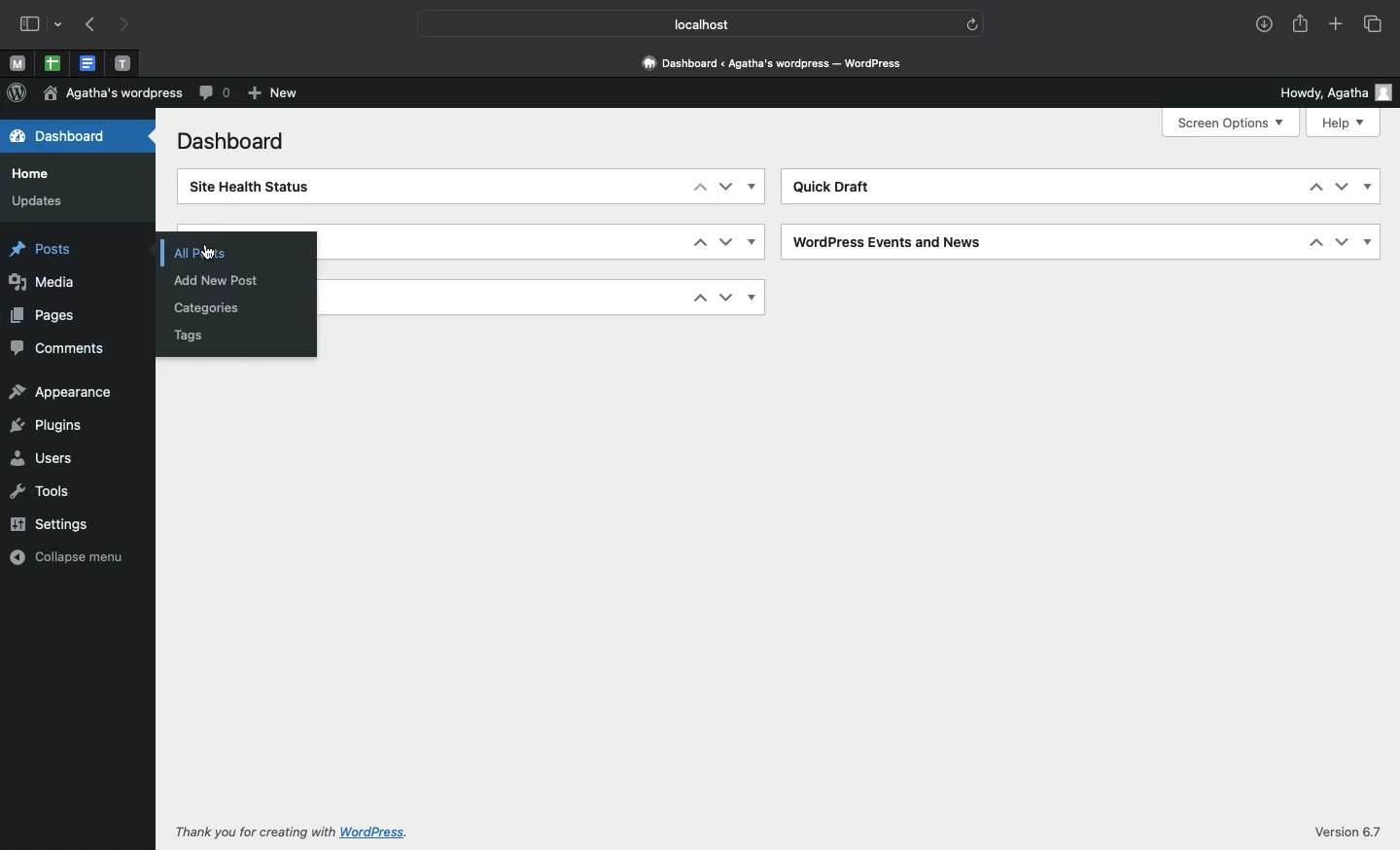 This screenshot has height=850, width=1400. I want to click on Media, so click(44, 282).